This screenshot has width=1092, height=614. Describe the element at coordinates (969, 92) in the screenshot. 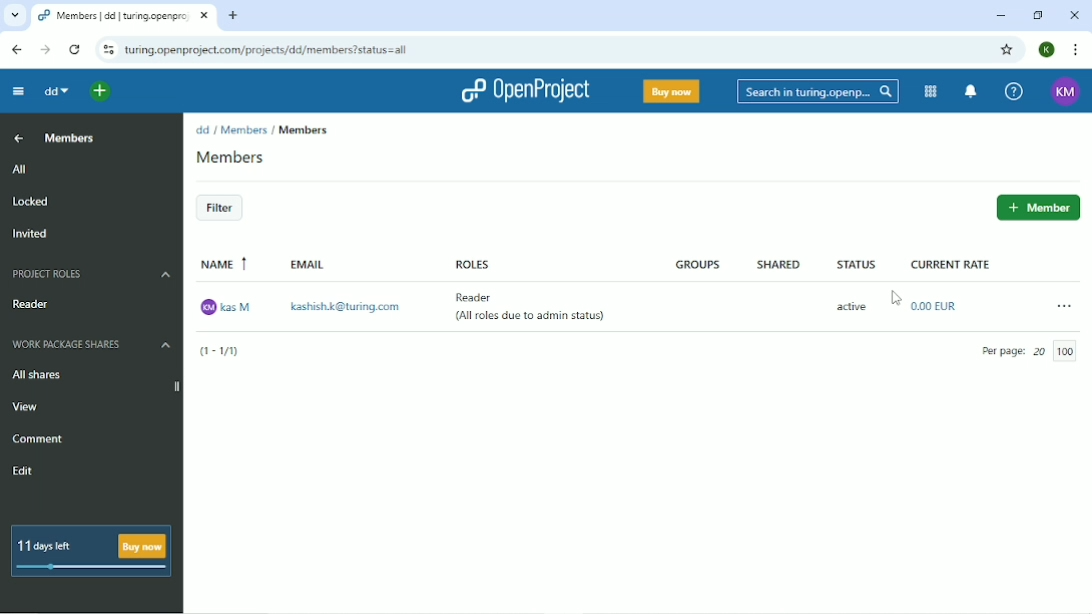

I see `To notification center` at that location.